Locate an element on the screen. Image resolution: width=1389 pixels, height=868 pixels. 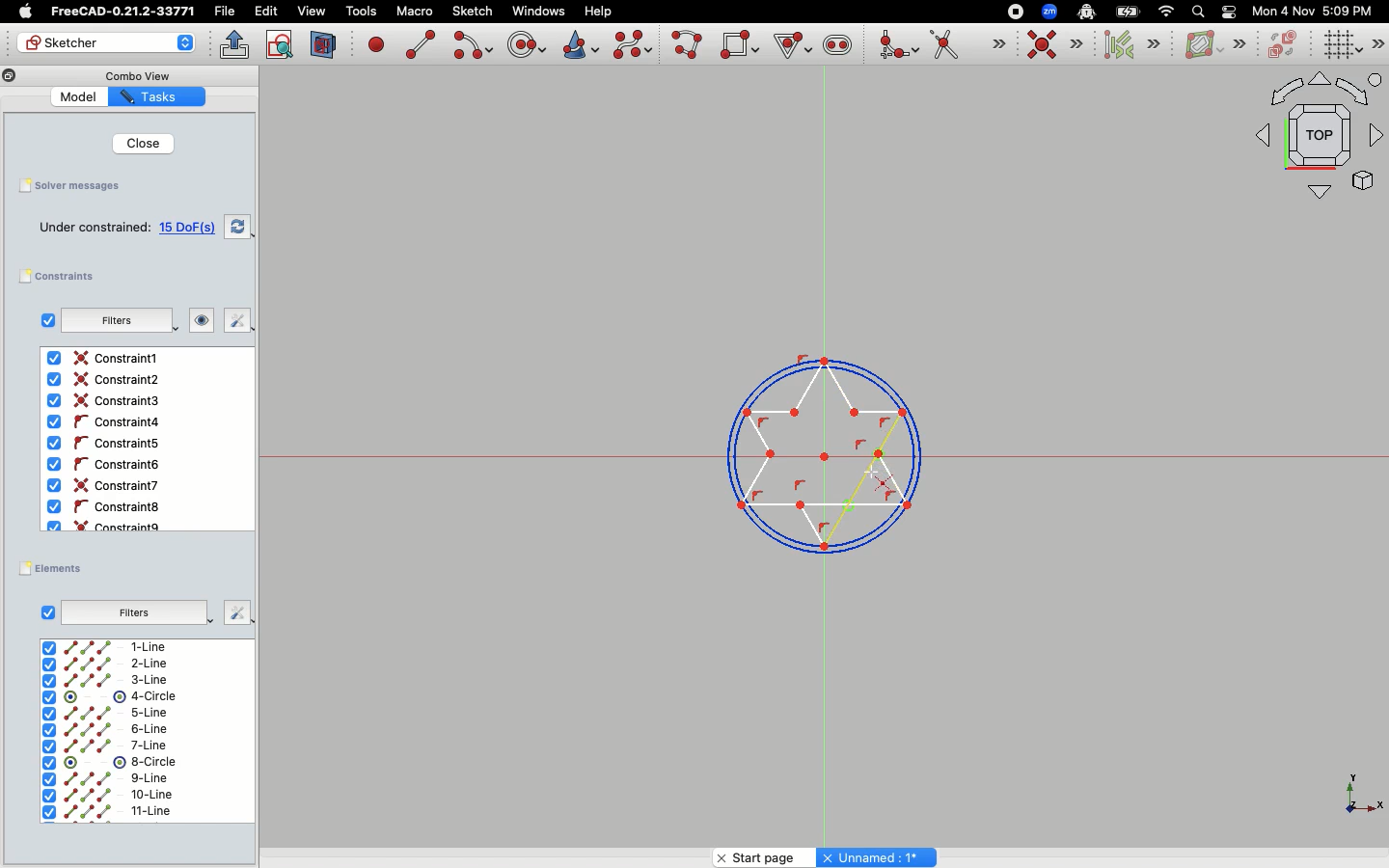
Robot is located at coordinates (1086, 14).